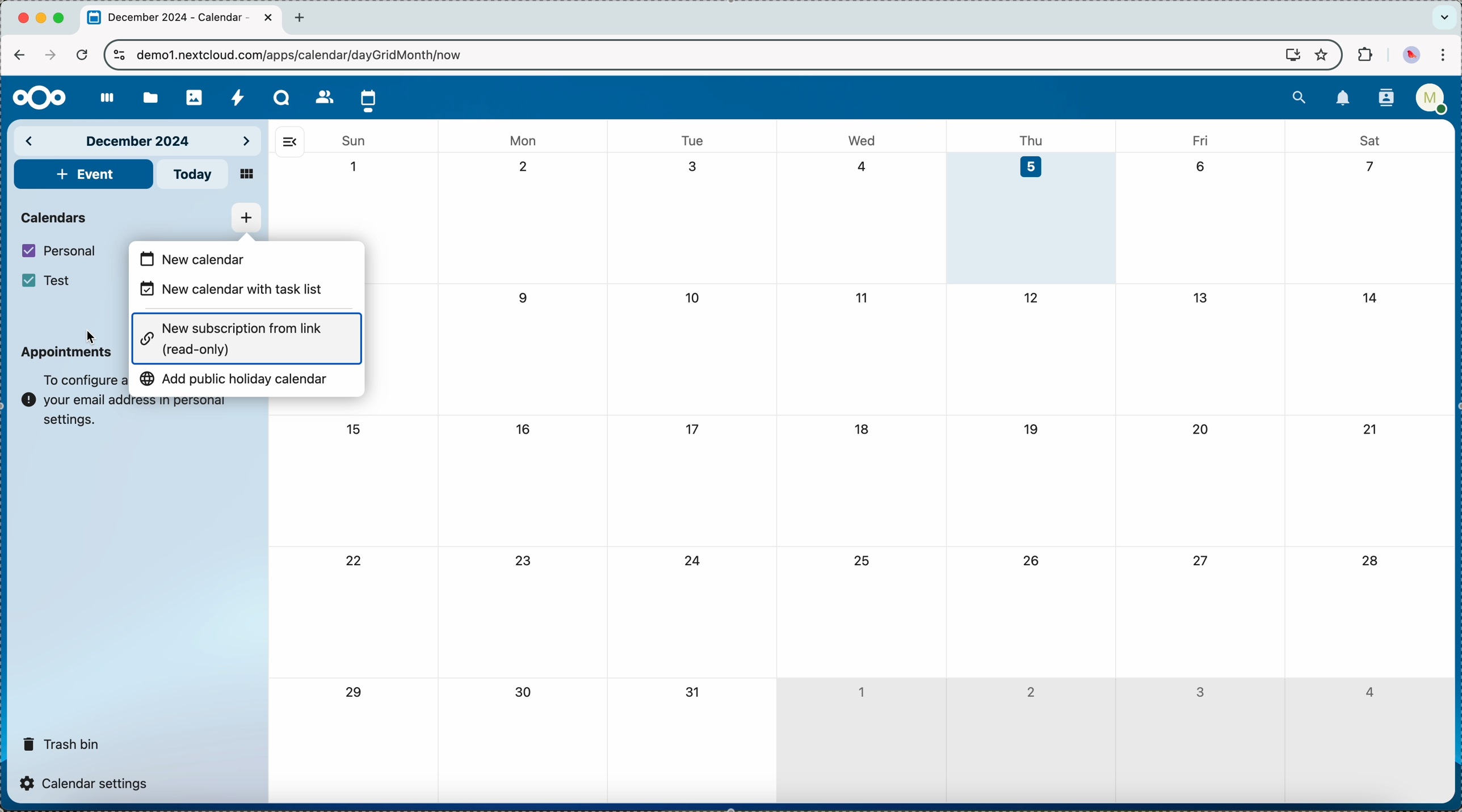 The width and height of the screenshot is (1462, 812). I want to click on thu, so click(1036, 139).